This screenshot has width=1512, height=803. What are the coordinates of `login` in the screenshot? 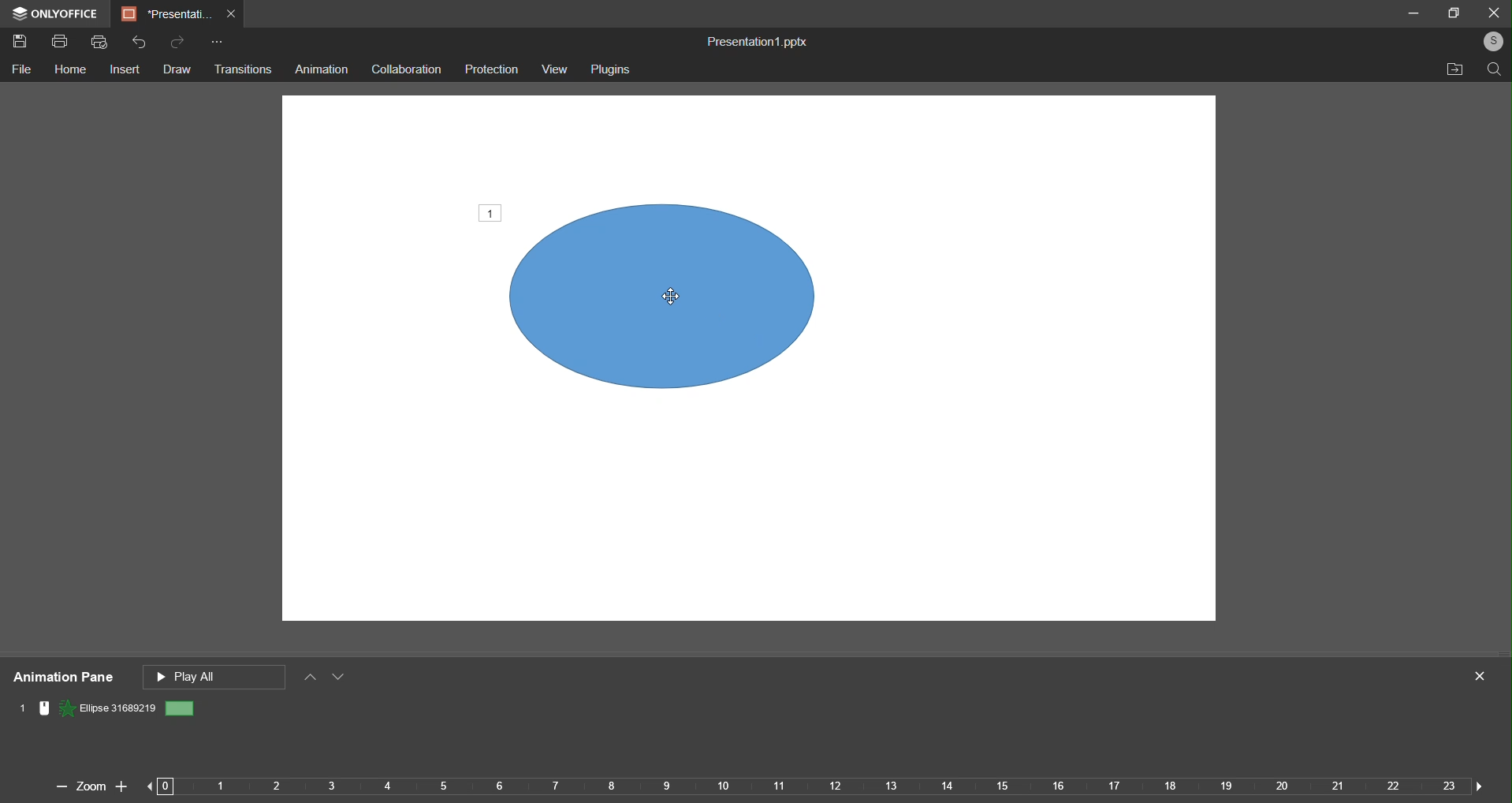 It's located at (1492, 40).